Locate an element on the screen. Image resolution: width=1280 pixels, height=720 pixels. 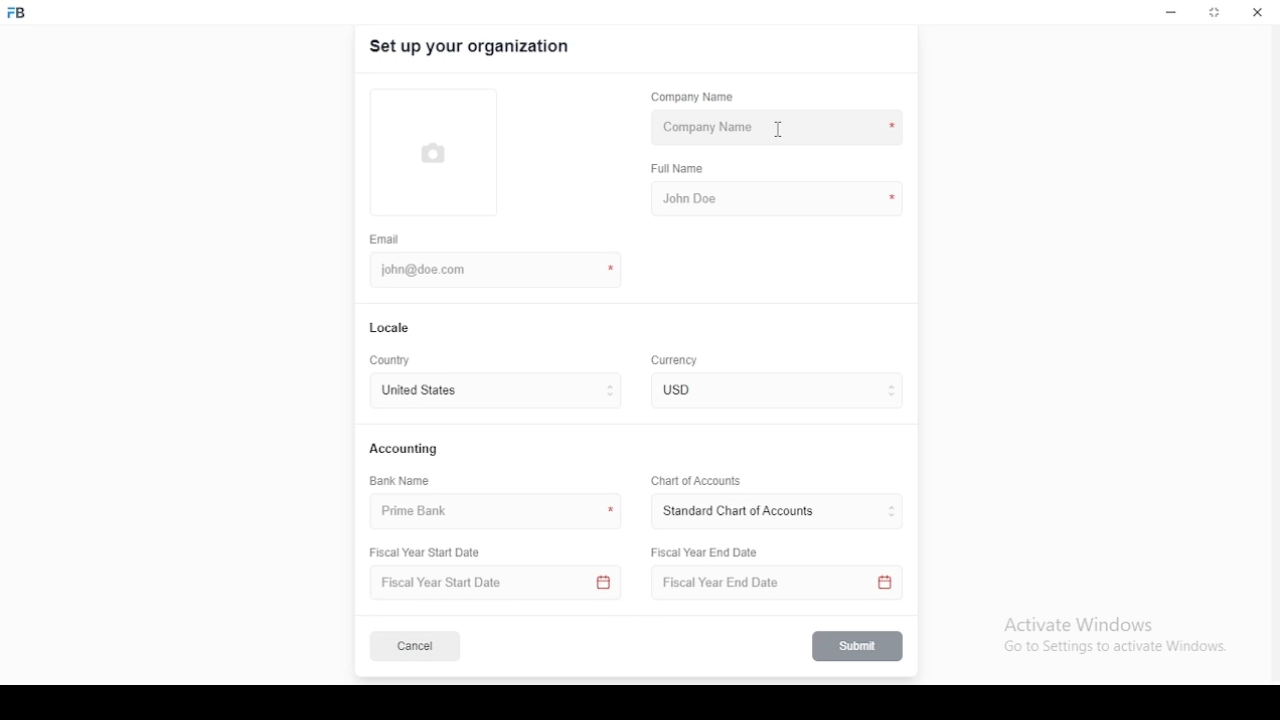
L ‘Standard Chart of Accounts is located at coordinates (737, 512).